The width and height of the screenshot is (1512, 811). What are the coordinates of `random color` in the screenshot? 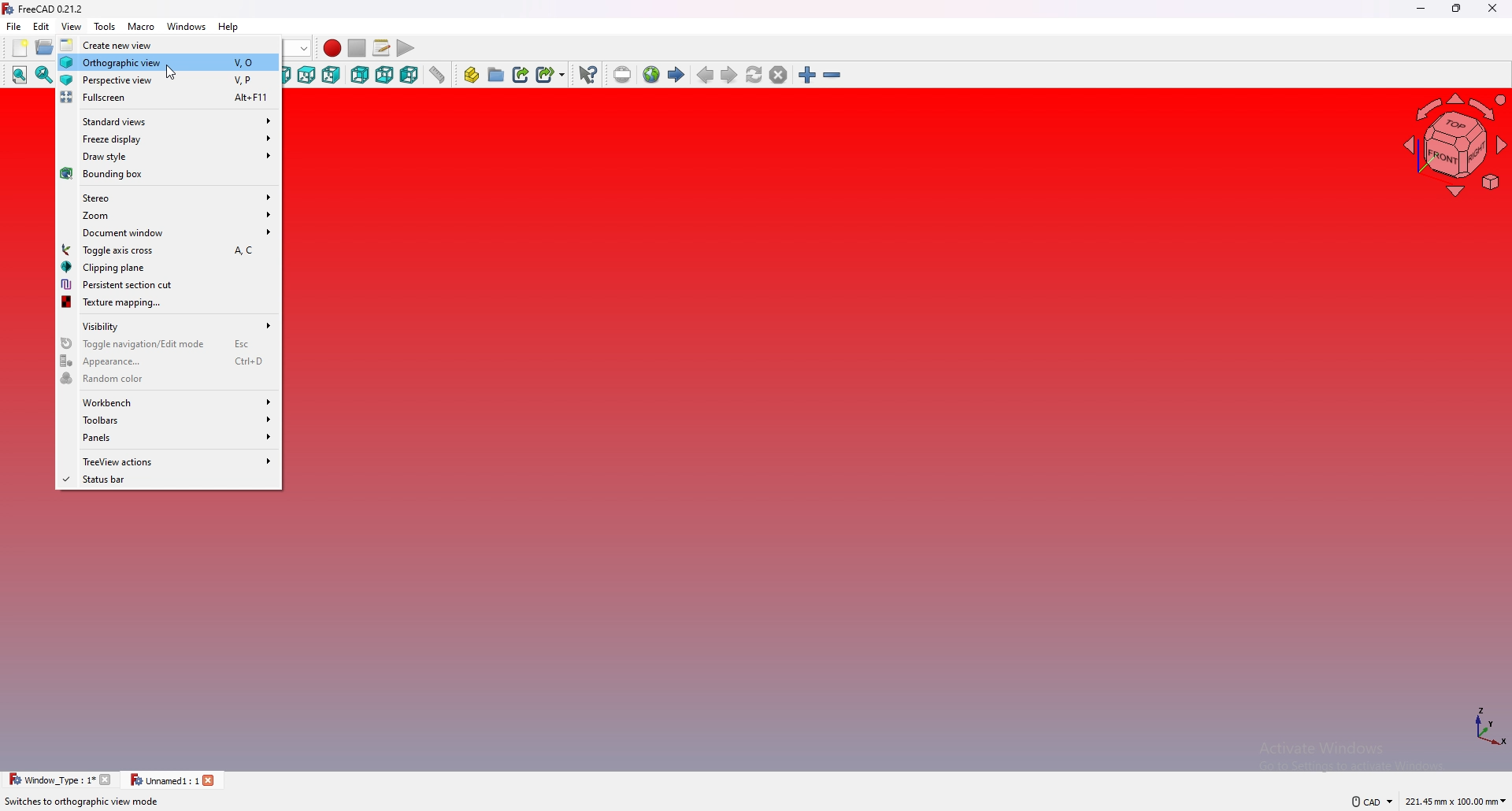 It's located at (167, 380).